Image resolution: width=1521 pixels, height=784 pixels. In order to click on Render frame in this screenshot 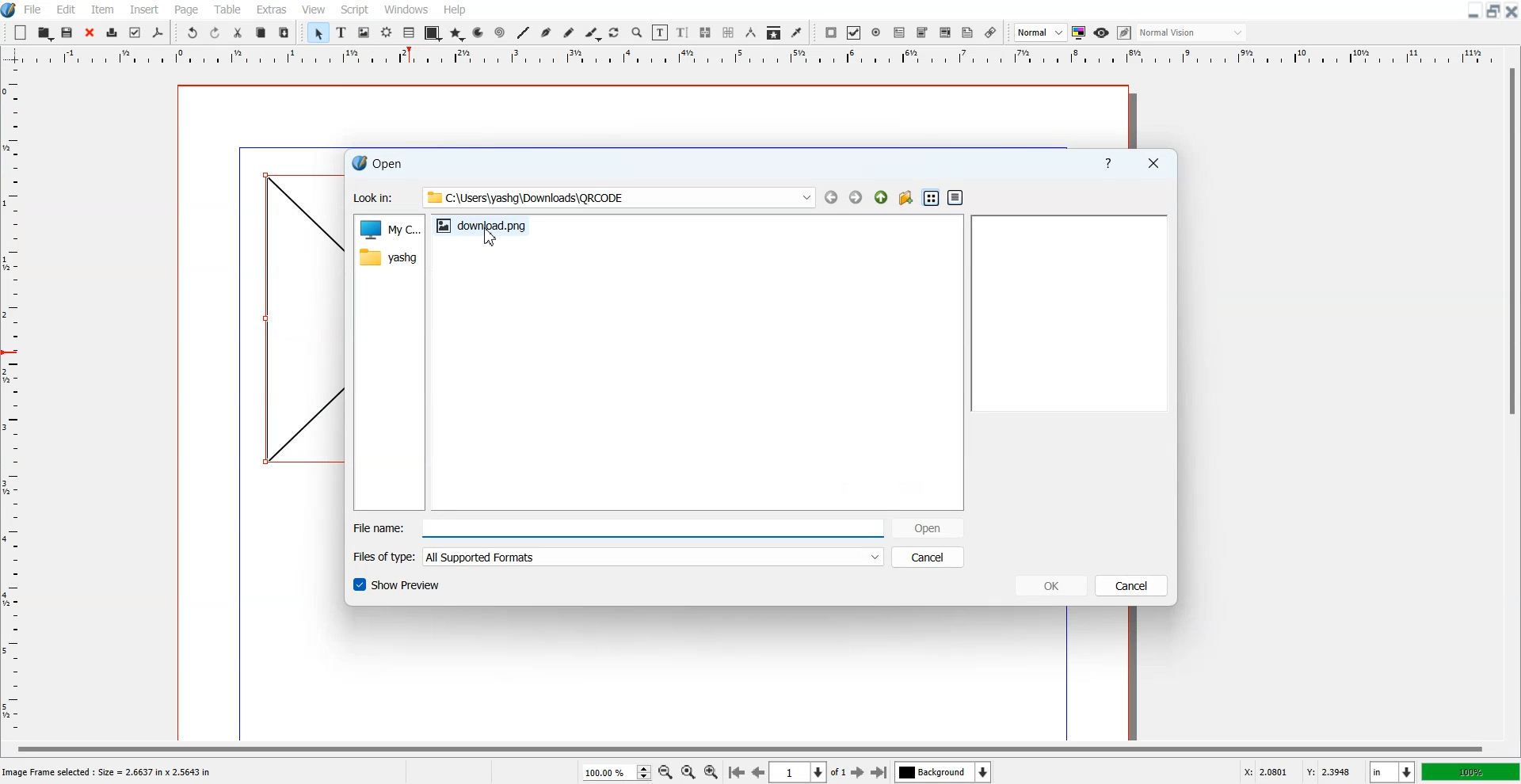, I will do `click(387, 32)`.